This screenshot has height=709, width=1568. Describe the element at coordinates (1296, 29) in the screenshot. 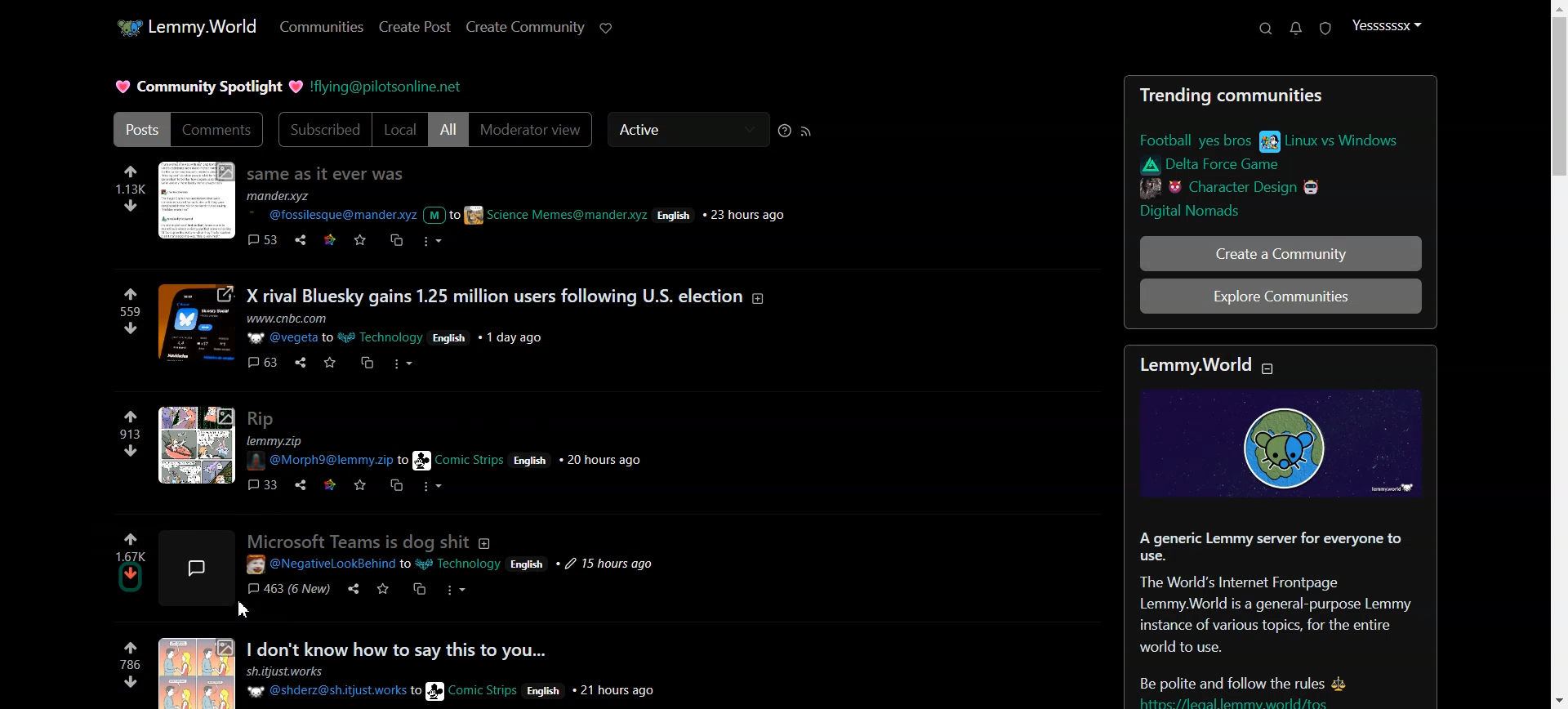

I see `Unread Message` at that location.